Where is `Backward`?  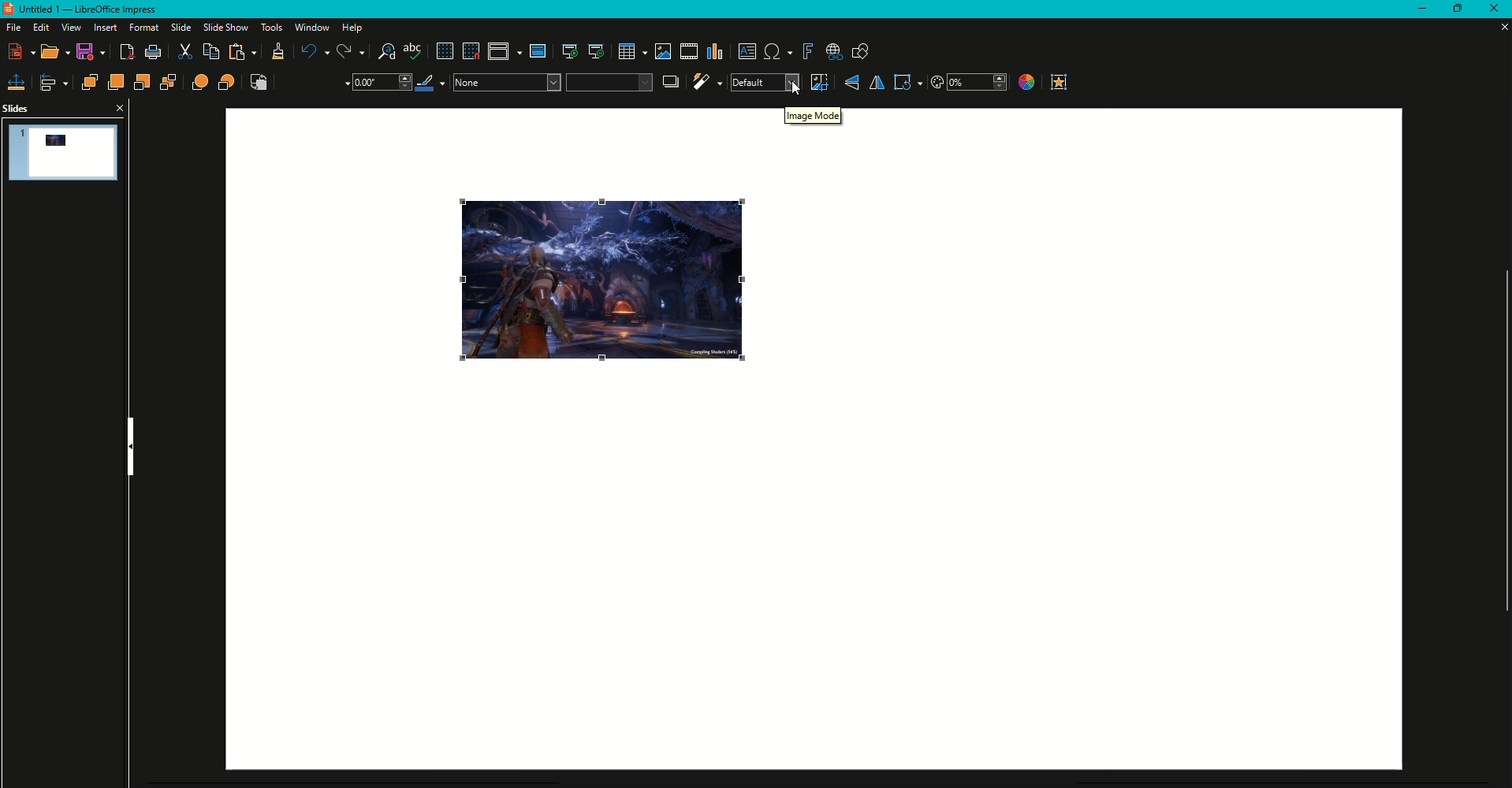 Backward is located at coordinates (143, 83).